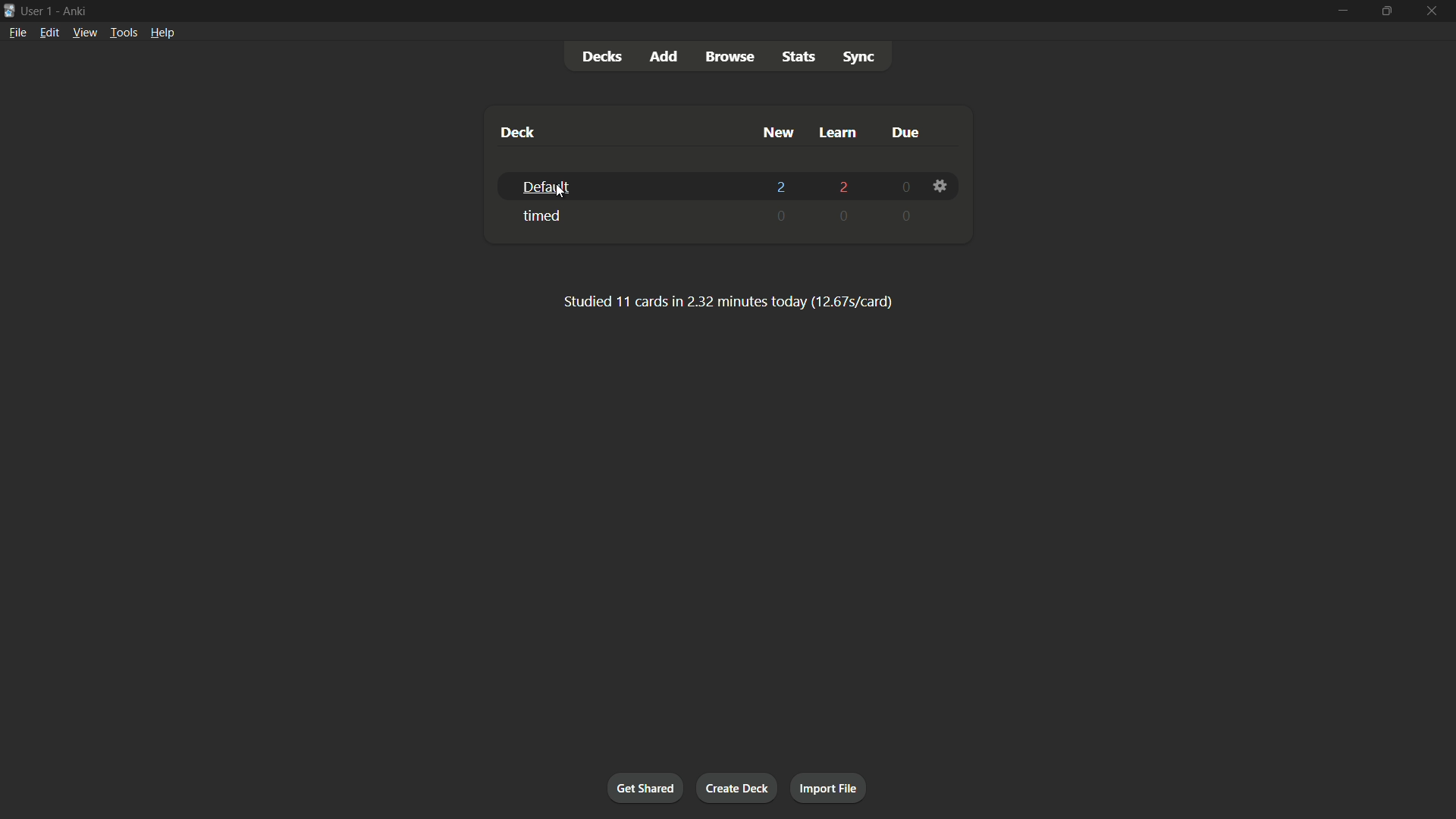  What do you see at coordinates (730, 56) in the screenshot?
I see `browse` at bounding box center [730, 56].